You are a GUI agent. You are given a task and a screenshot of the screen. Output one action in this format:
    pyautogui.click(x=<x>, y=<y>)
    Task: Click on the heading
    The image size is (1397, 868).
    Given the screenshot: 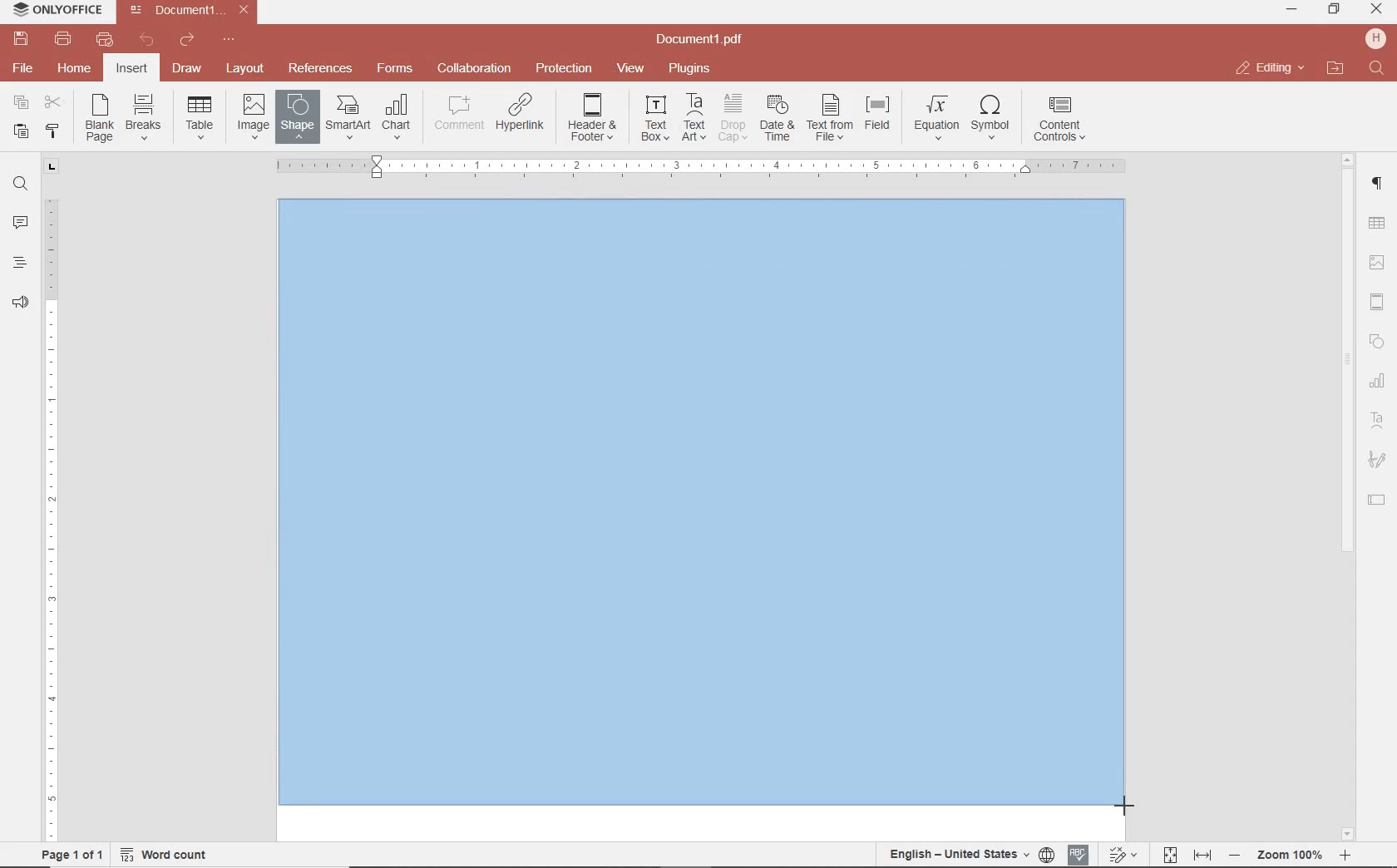 What is the action you would take?
    pyautogui.click(x=20, y=262)
    